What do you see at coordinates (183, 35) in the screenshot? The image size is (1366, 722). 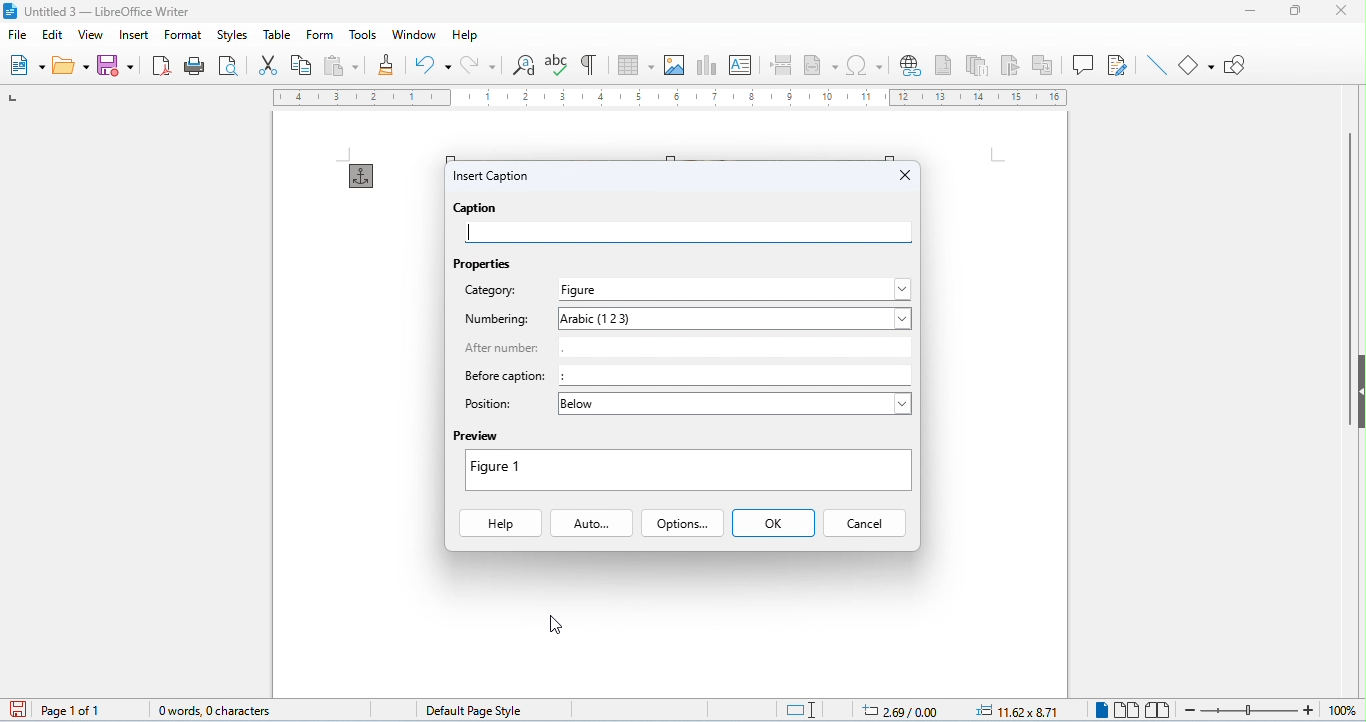 I see `format` at bounding box center [183, 35].